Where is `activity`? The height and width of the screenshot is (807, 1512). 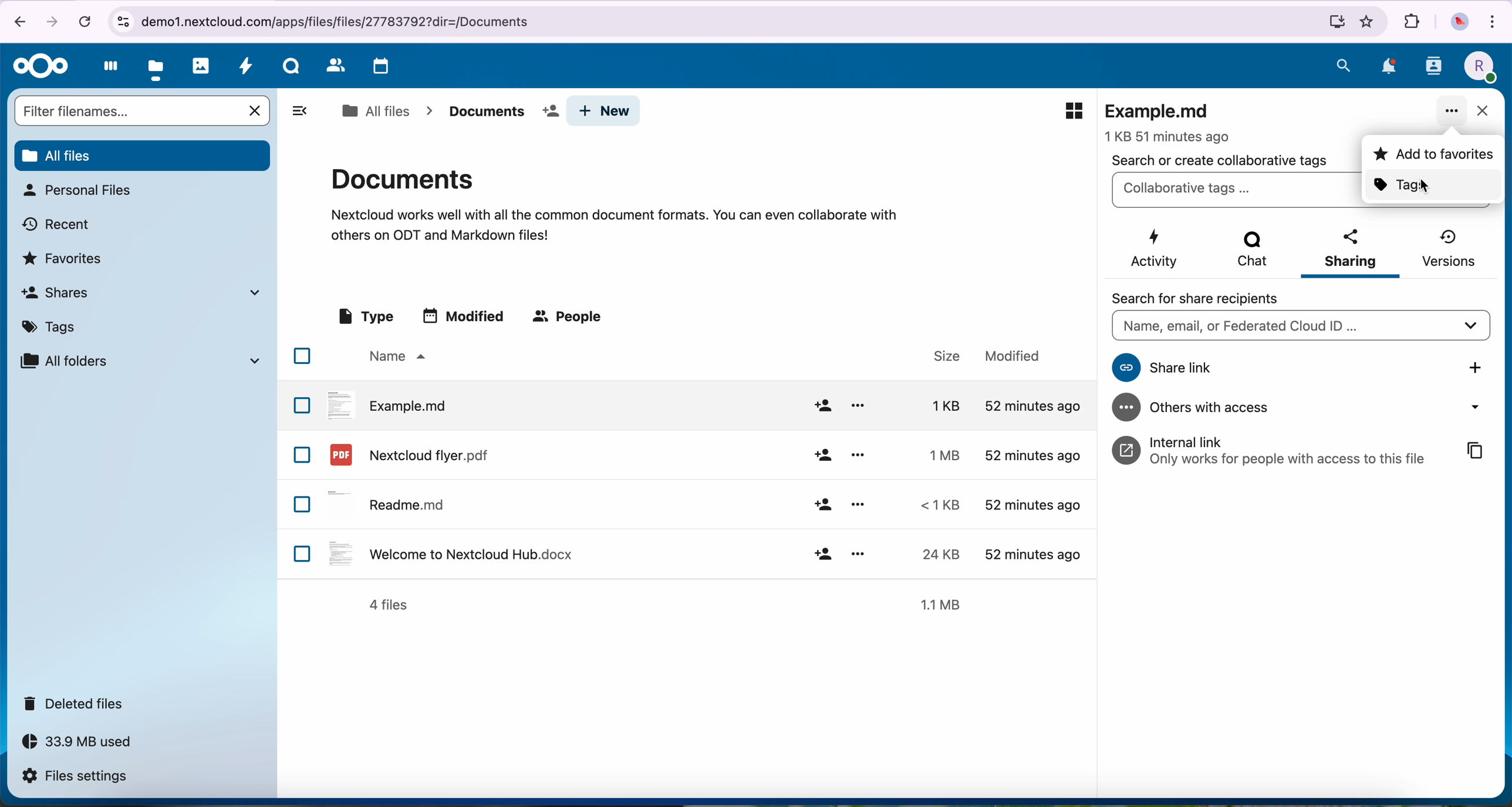 activity is located at coordinates (247, 69).